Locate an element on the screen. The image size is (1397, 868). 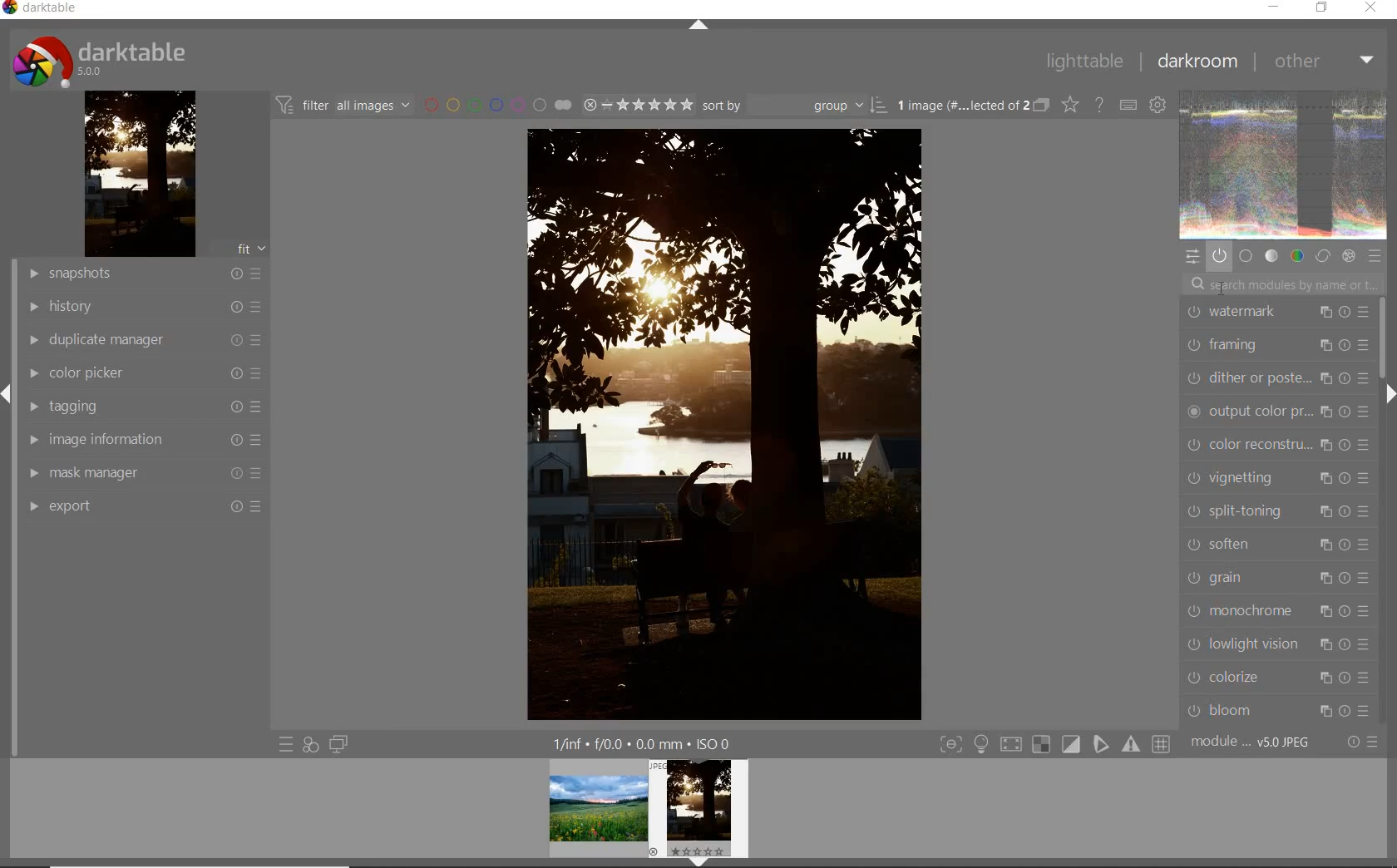
display a second darkroom image widow is located at coordinates (339, 744).